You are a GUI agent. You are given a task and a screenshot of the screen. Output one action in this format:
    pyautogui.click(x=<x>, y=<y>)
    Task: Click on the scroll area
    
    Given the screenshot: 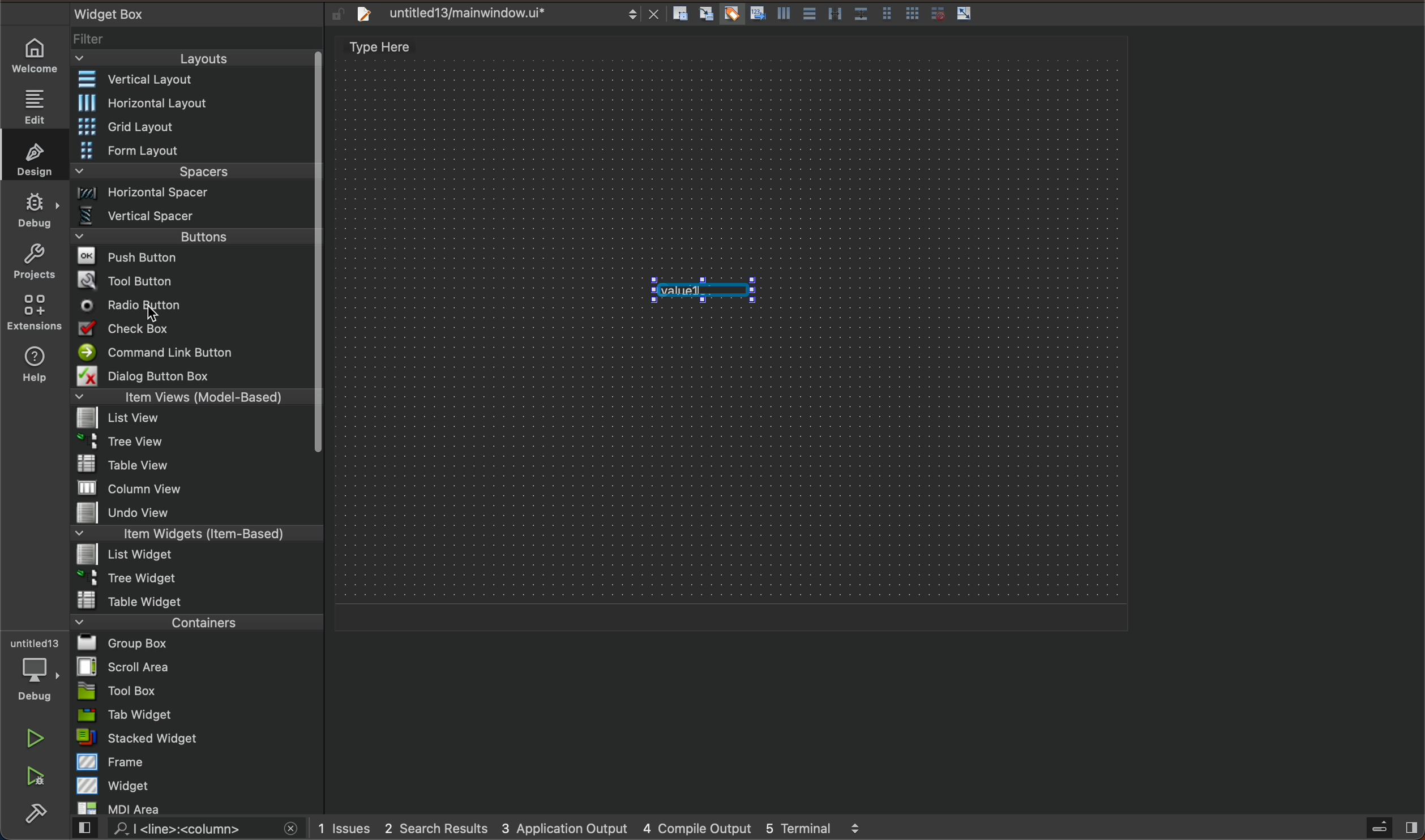 What is the action you would take?
    pyautogui.click(x=197, y=666)
    